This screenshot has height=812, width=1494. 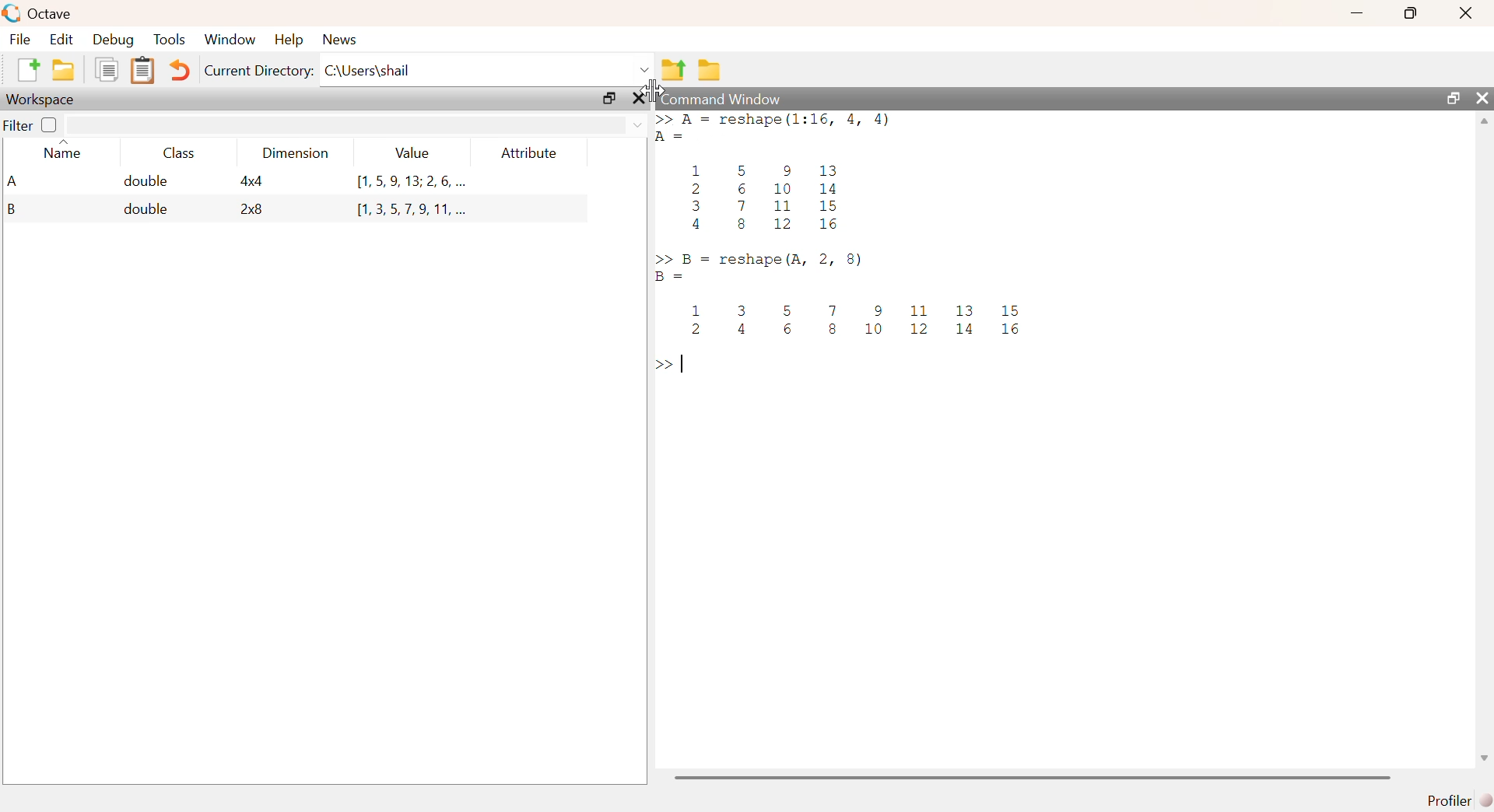 What do you see at coordinates (26, 68) in the screenshot?
I see `new script` at bounding box center [26, 68].